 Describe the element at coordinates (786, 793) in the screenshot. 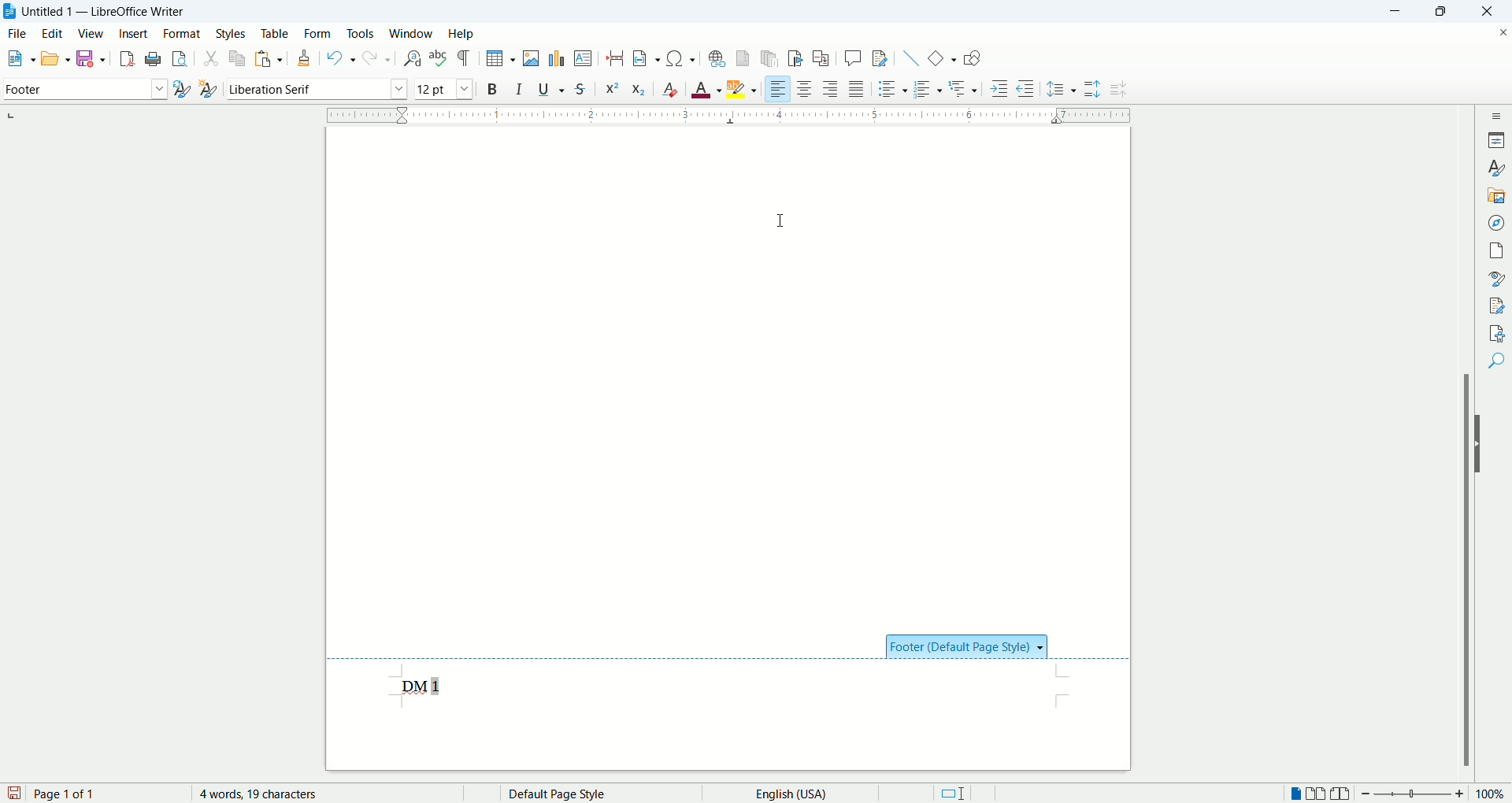

I see `text language` at that location.